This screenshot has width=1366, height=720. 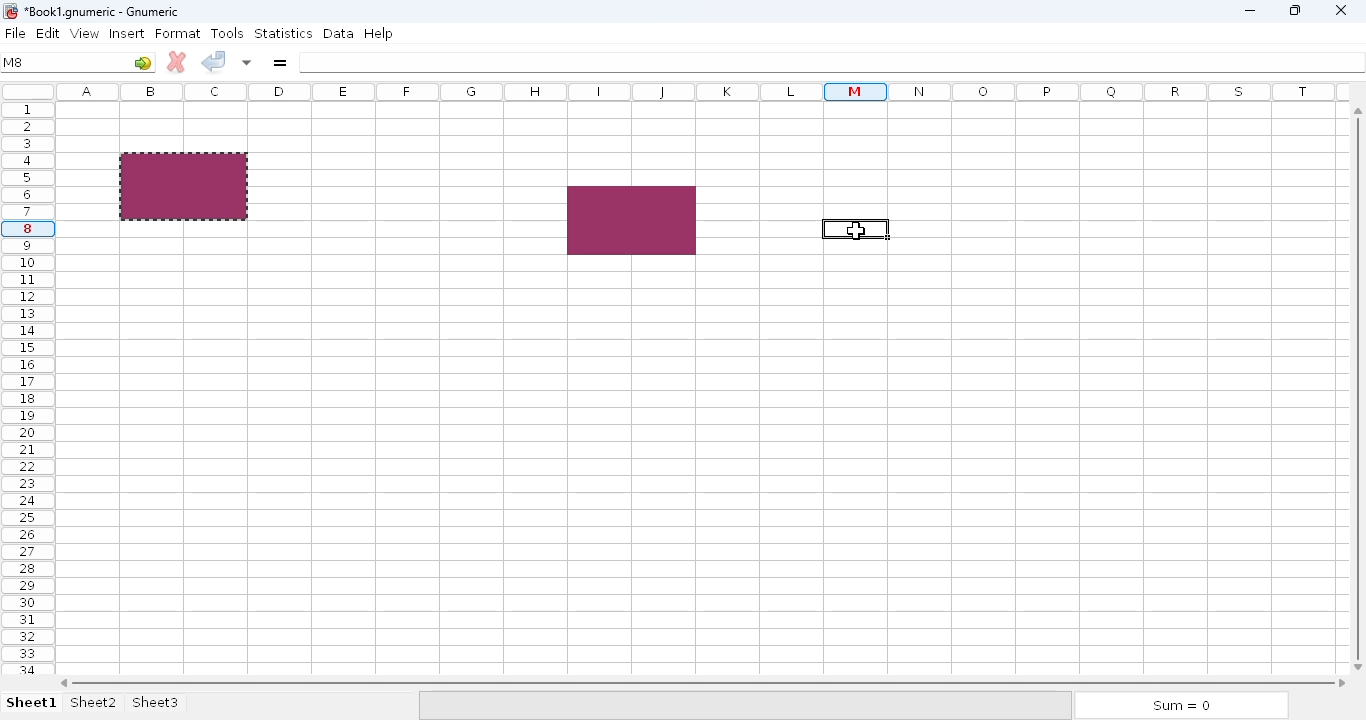 What do you see at coordinates (24, 391) in the screenshot?
I see `rows` at bounding box center [24, 391].